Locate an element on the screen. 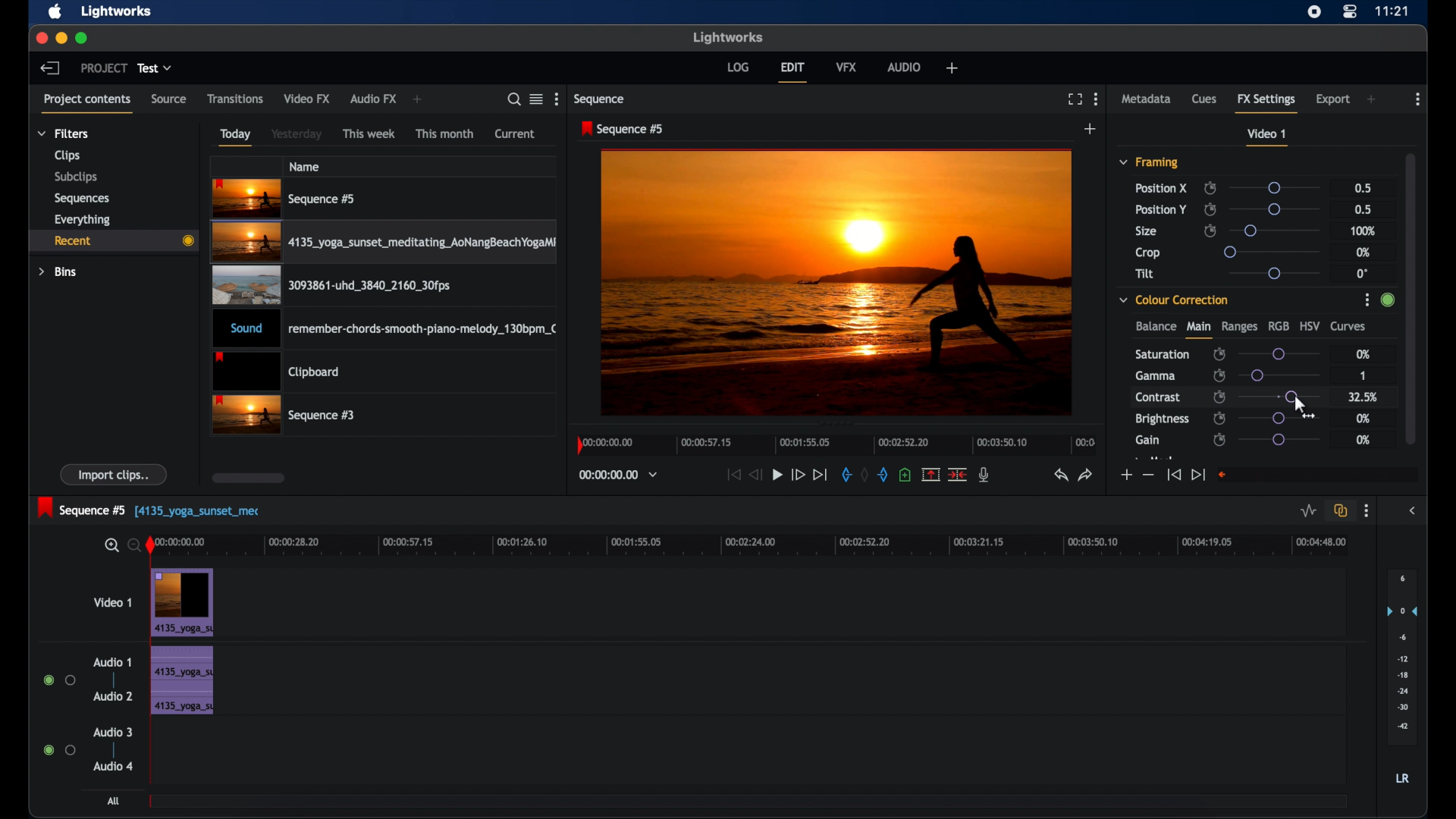  out mark is located at coordinates (884, 475).